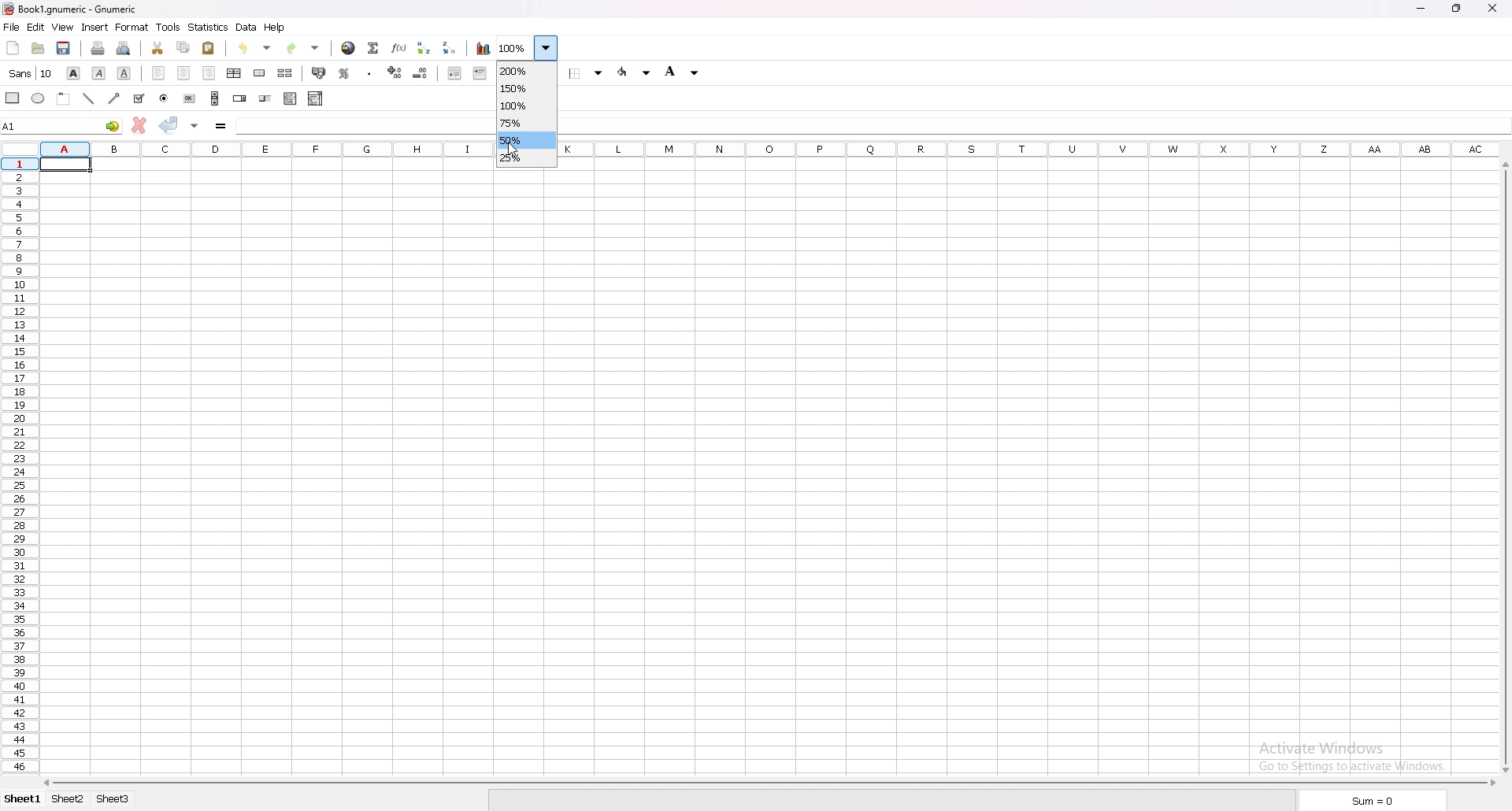  Describe the element at coordinates (527, 70) in the screenshot. I see `200%` at that location.